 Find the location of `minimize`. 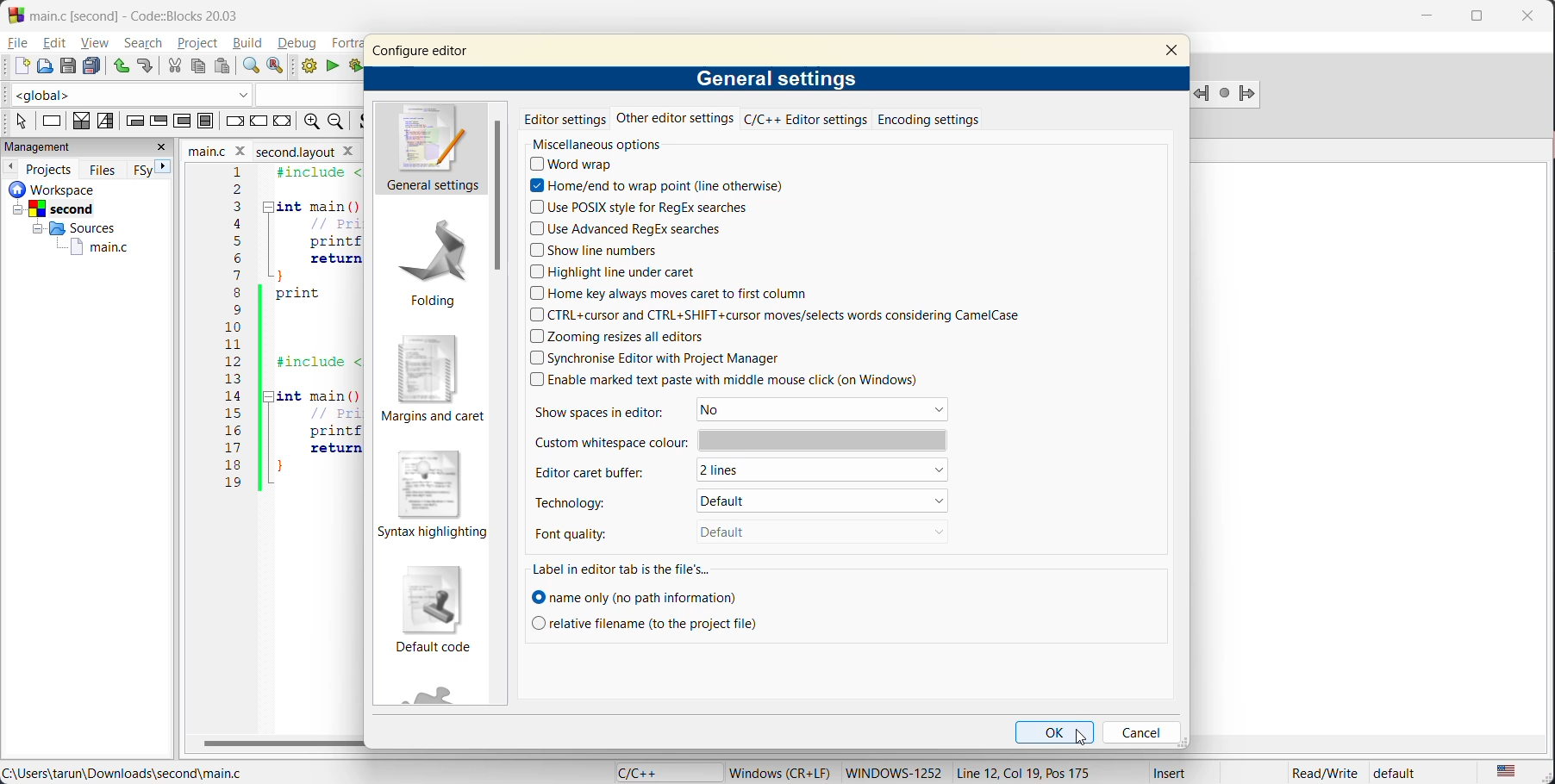

minimize is located at coordinates (1427, 17).